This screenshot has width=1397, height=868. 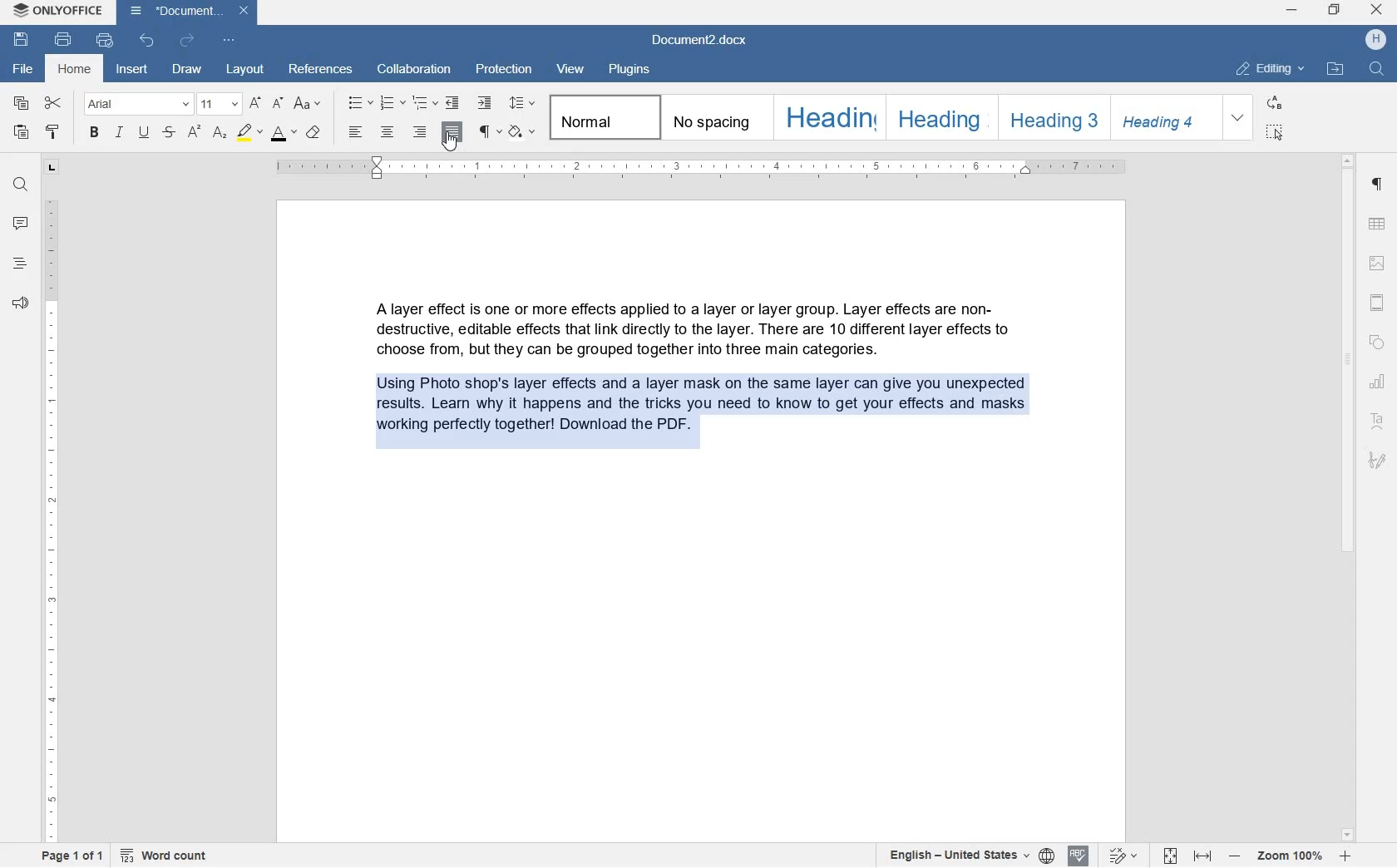 I want to click on CHART, so click(x=1377, y=382).